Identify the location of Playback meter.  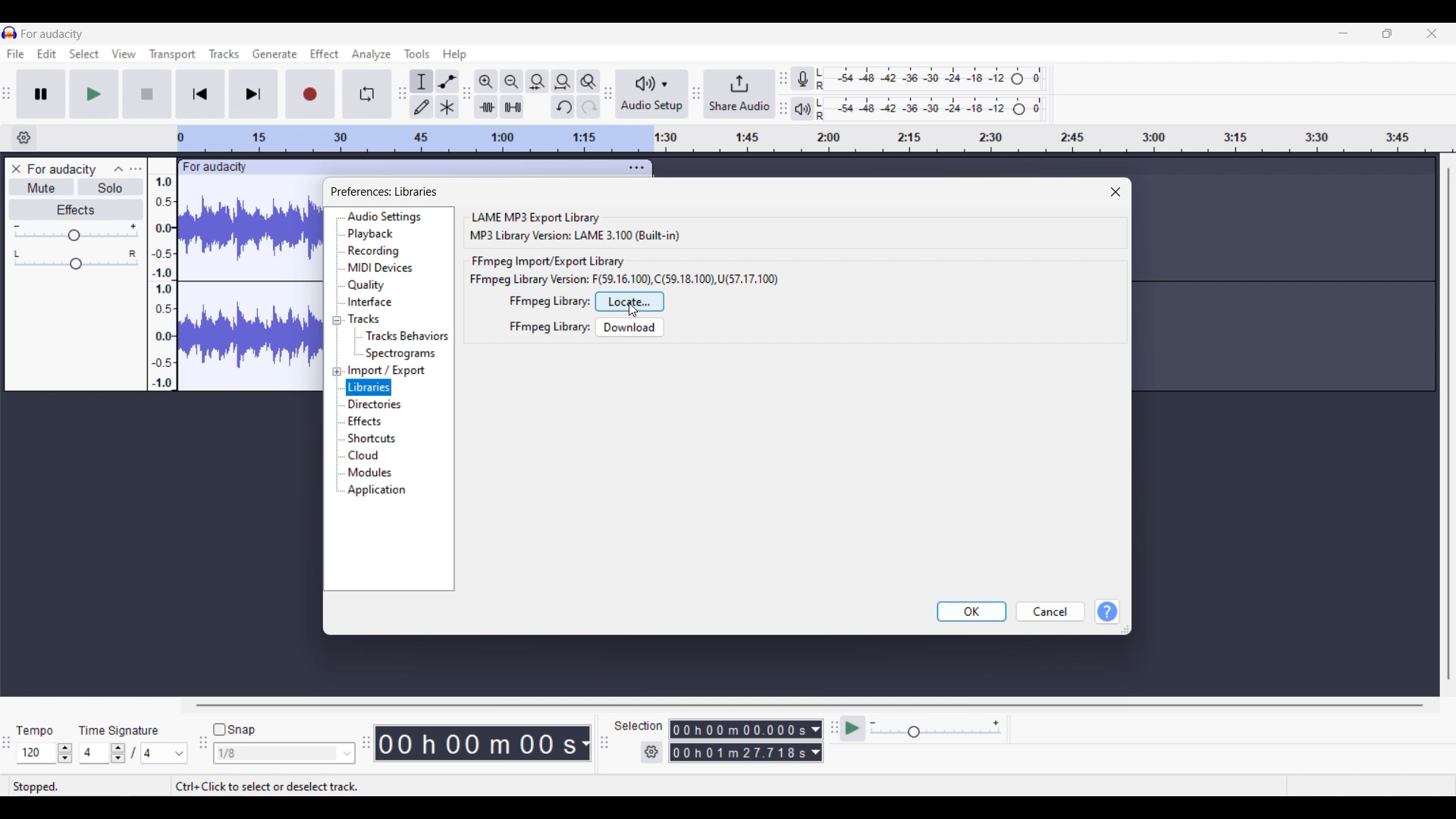
(803, 108).